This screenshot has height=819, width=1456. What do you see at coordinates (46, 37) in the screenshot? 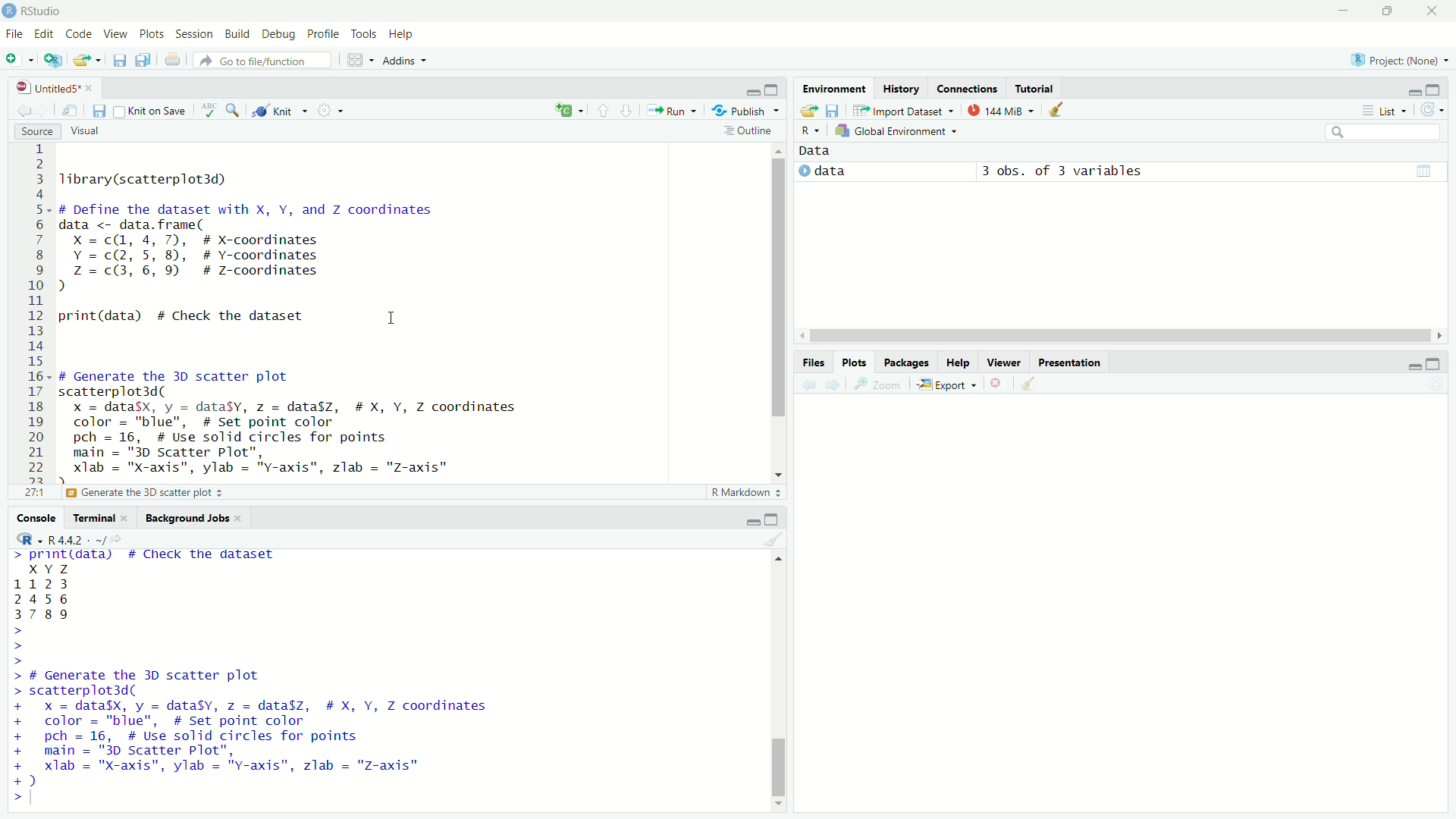
I see `Edit` at bounding box center [46, 37].